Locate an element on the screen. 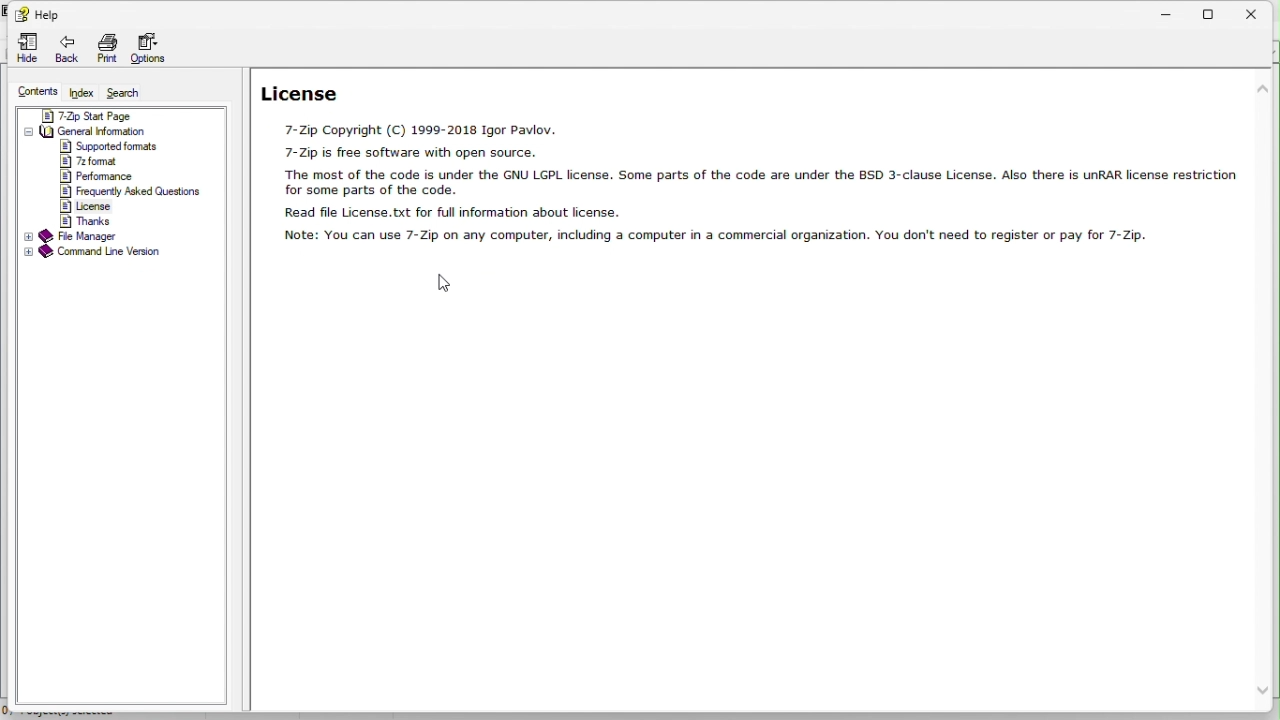 The width and height of the screenshot is (1280, 720). Print is located at coordinates (107, 49).